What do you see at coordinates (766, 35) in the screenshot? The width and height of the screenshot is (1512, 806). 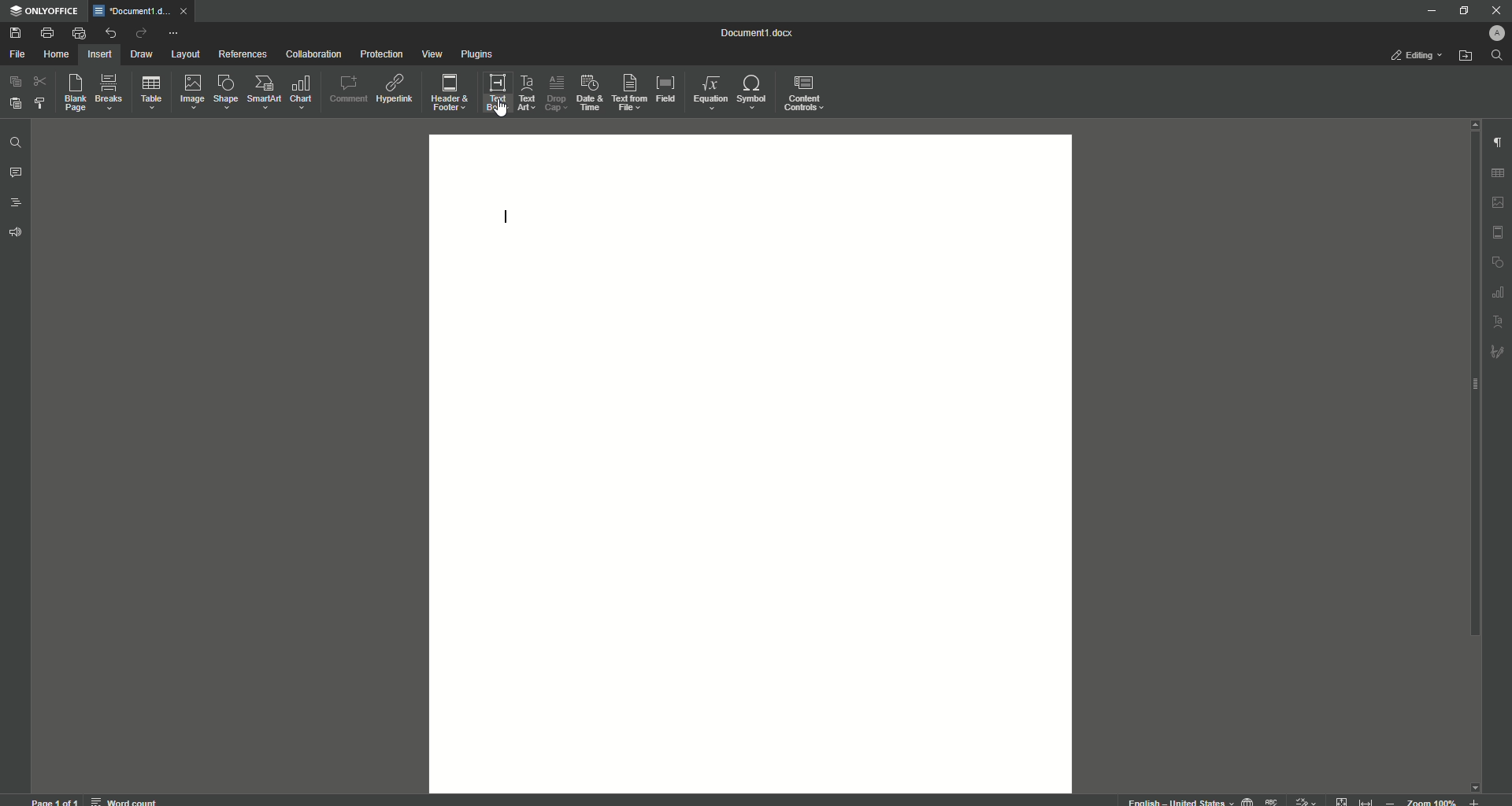 I see `Document 1` at bounding box center [766, 35].